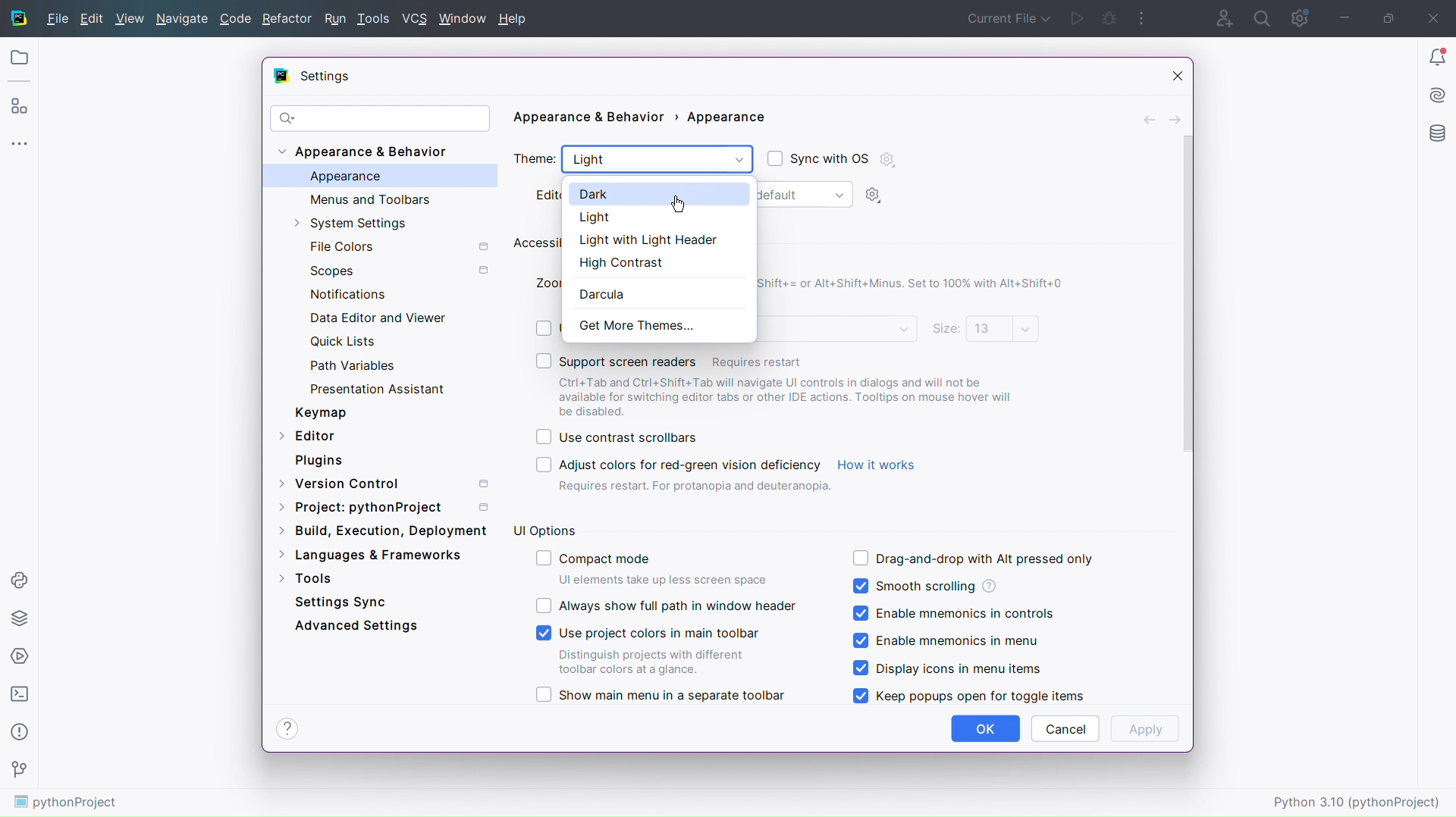 Image resolution: width=1456 pixels, height=817 pixels. I want to click on pythonProject, so click(67, 803).